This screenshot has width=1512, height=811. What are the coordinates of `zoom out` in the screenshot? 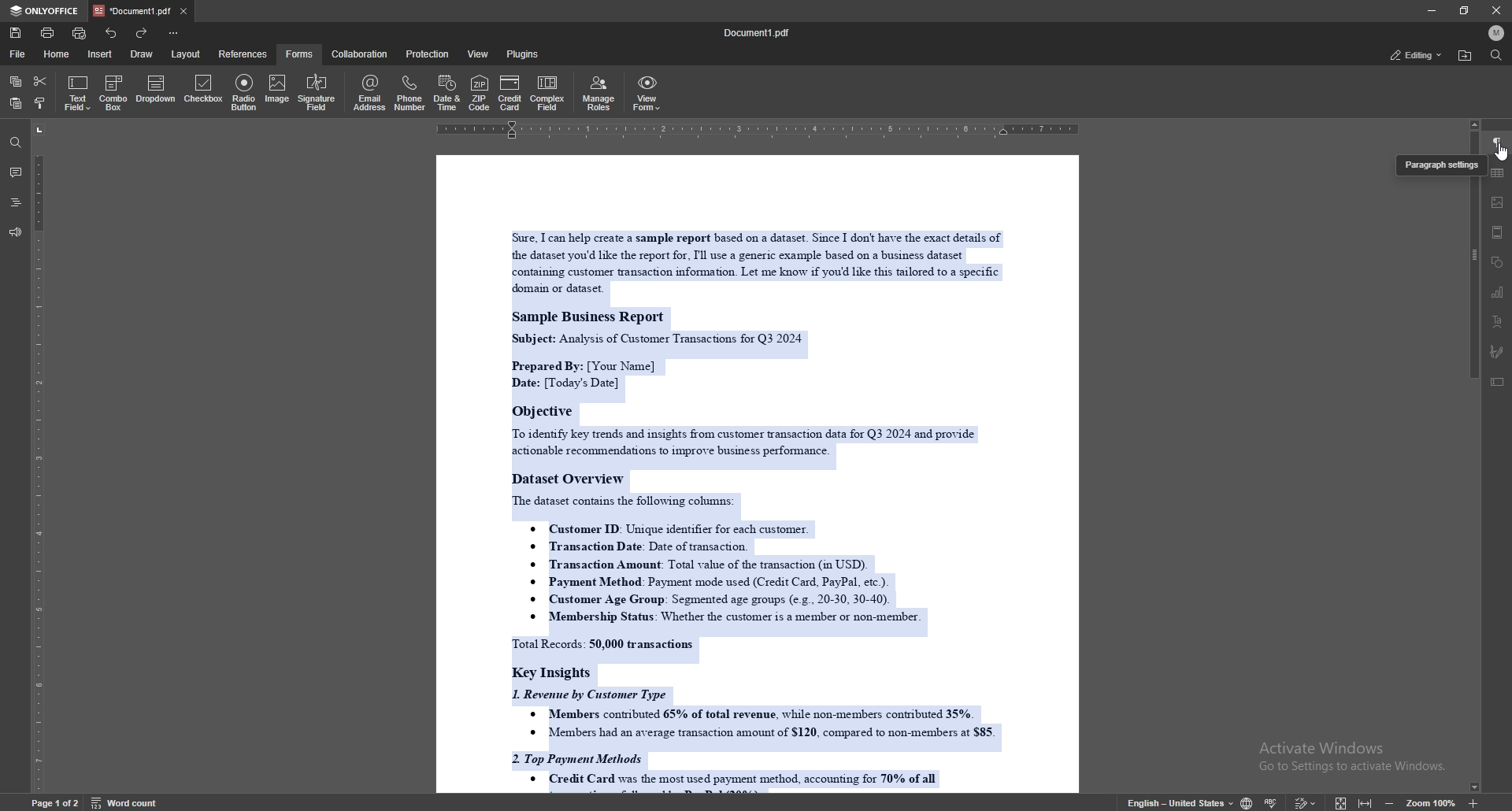 It's located at (1392, 801).